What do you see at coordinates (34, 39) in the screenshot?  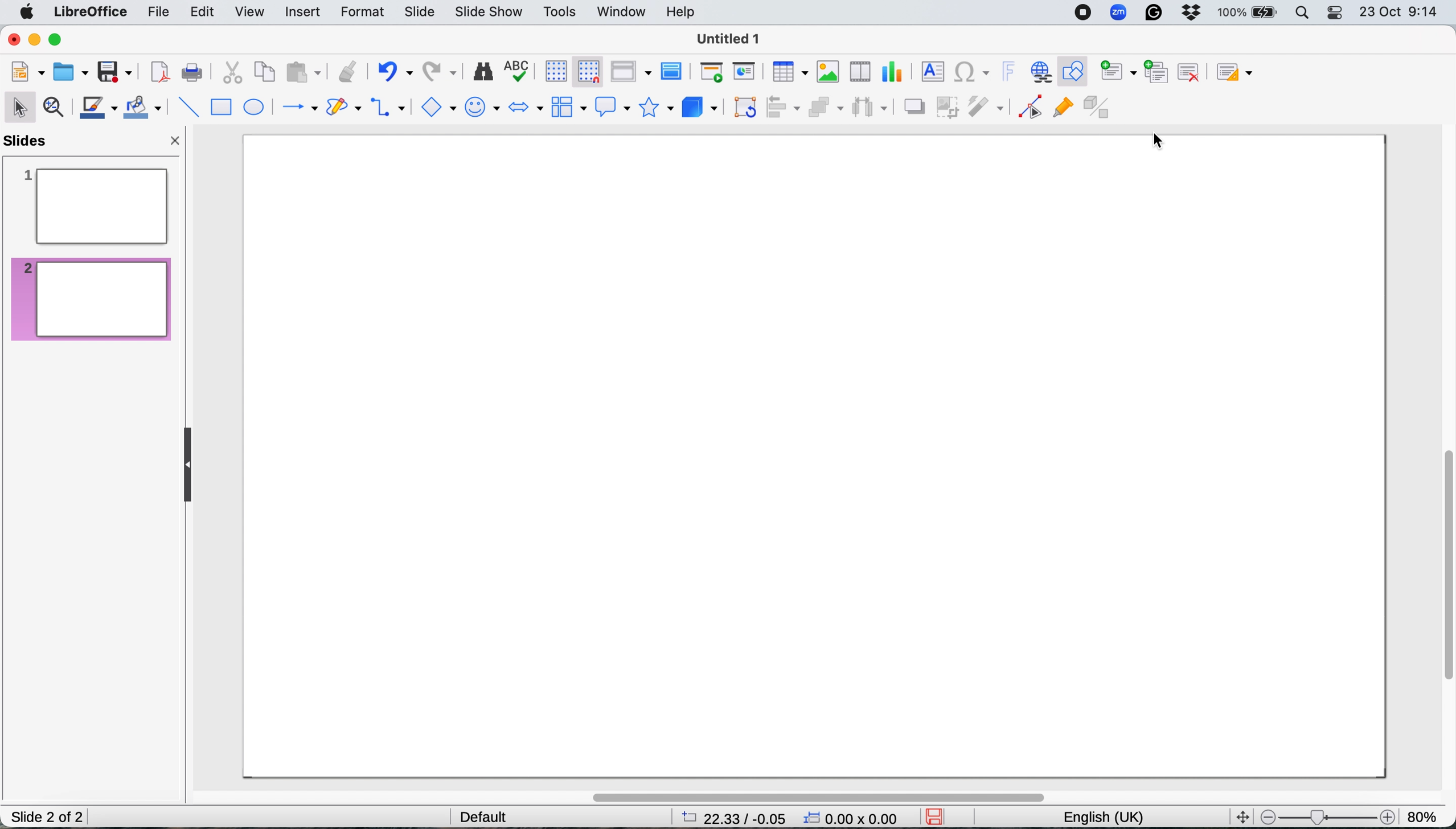 I see `minimise` at bounding box center [34, 39].